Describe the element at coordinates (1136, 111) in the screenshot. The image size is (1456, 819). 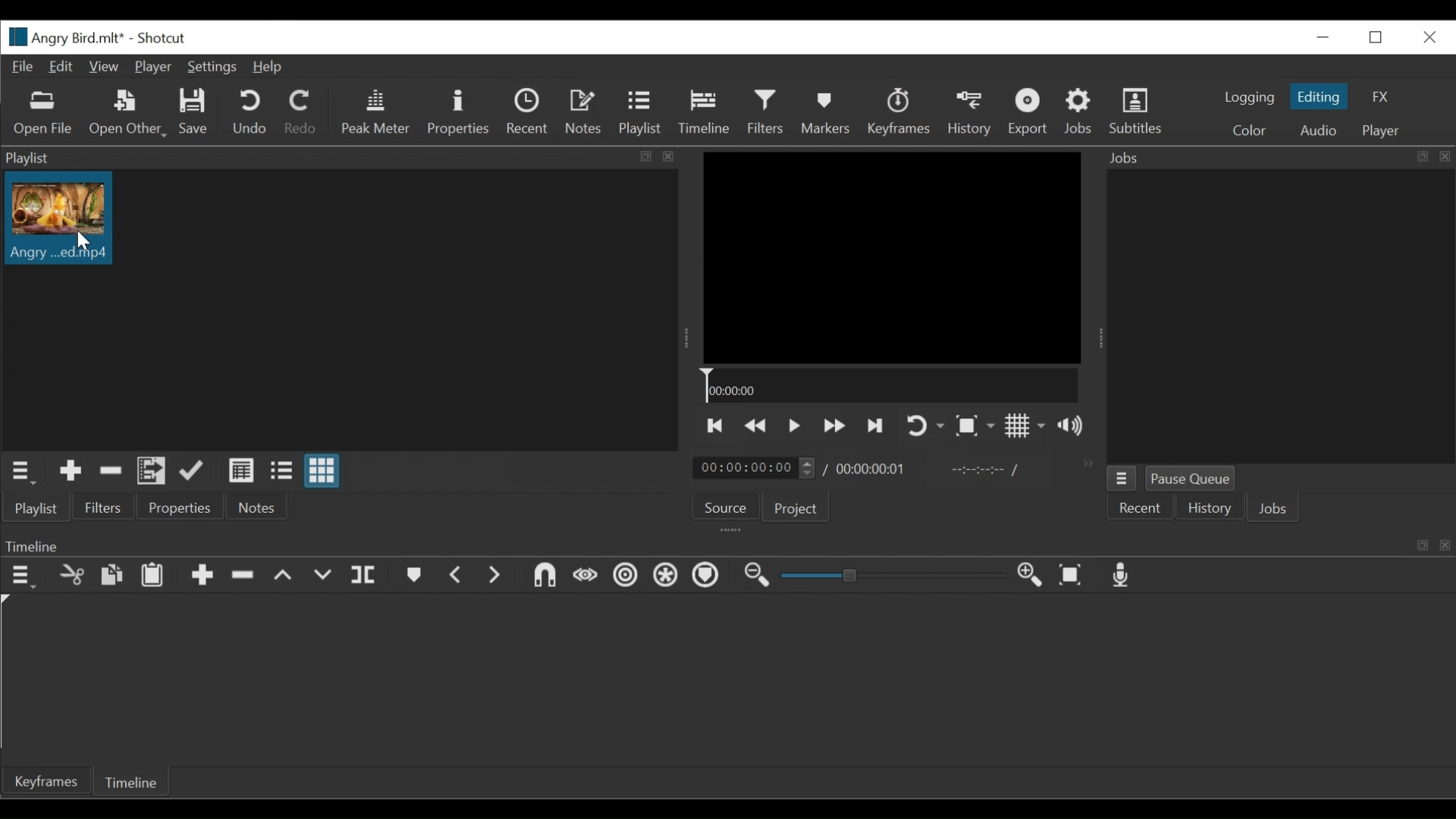
I see `Subtitles` at that location.